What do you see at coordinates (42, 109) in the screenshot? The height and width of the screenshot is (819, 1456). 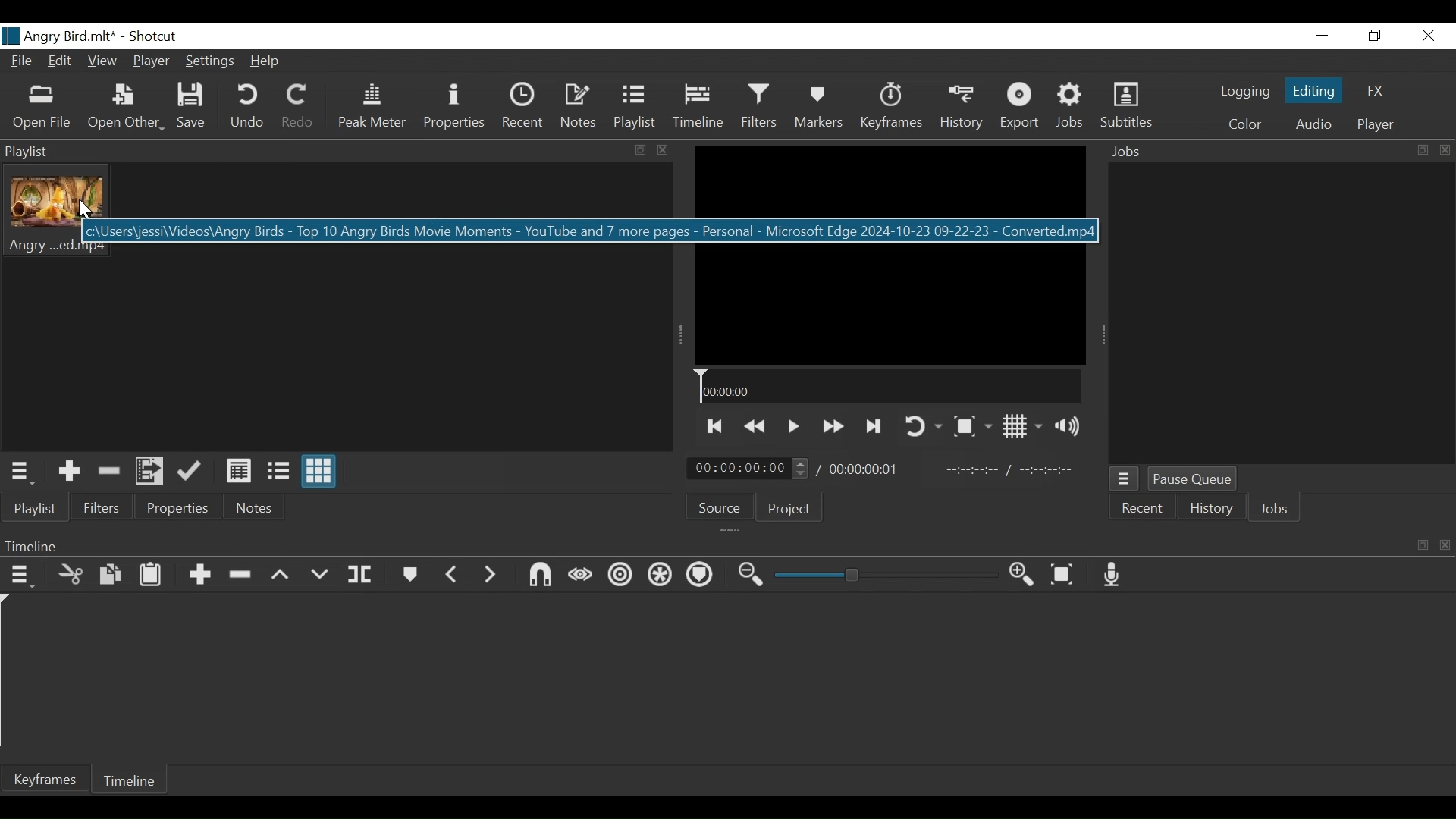 I see `Open File` at bounding box center [42, 109].